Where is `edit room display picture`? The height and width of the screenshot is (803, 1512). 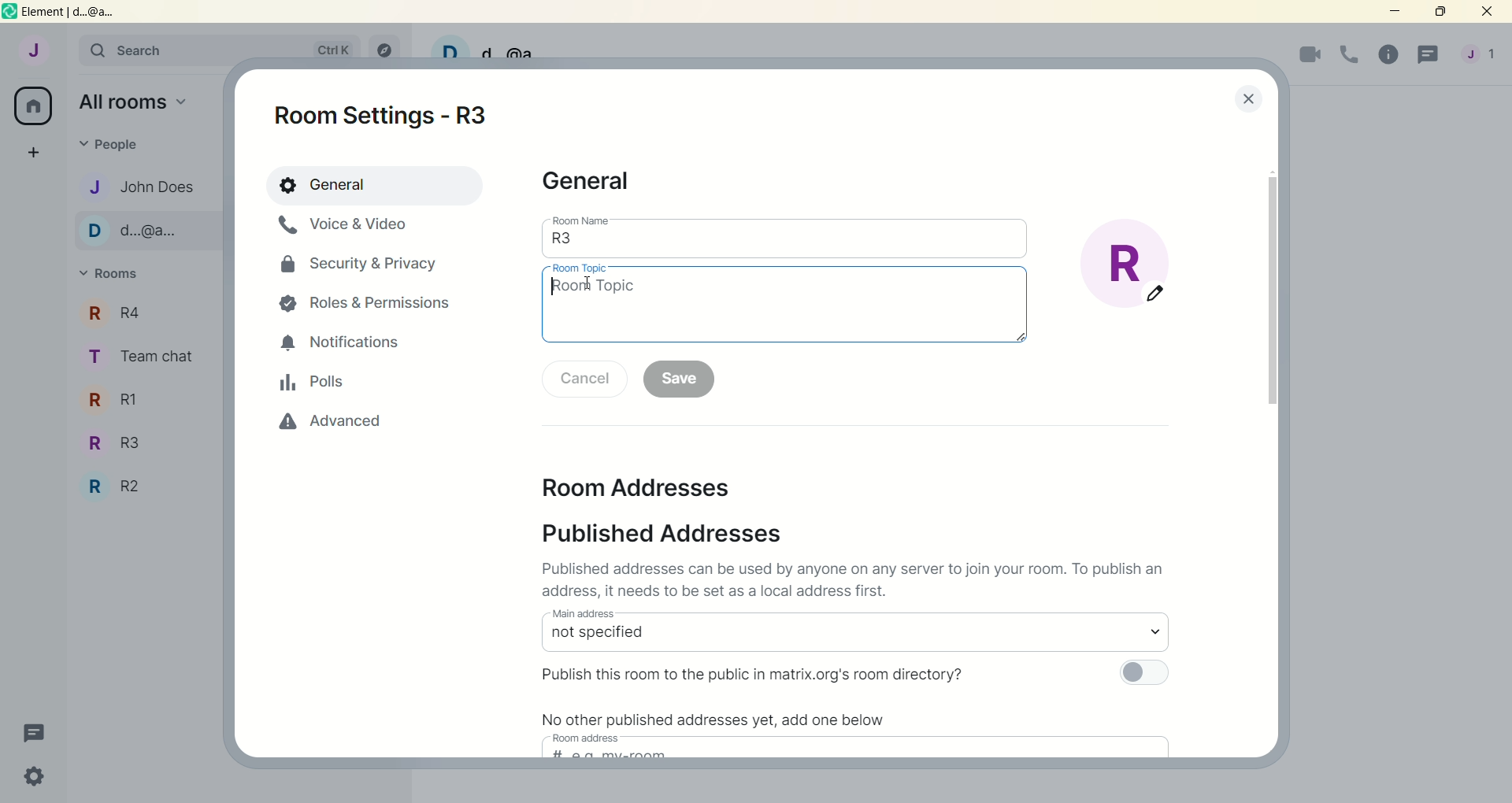
edit room display picture is located at coordinates (1125, 265).